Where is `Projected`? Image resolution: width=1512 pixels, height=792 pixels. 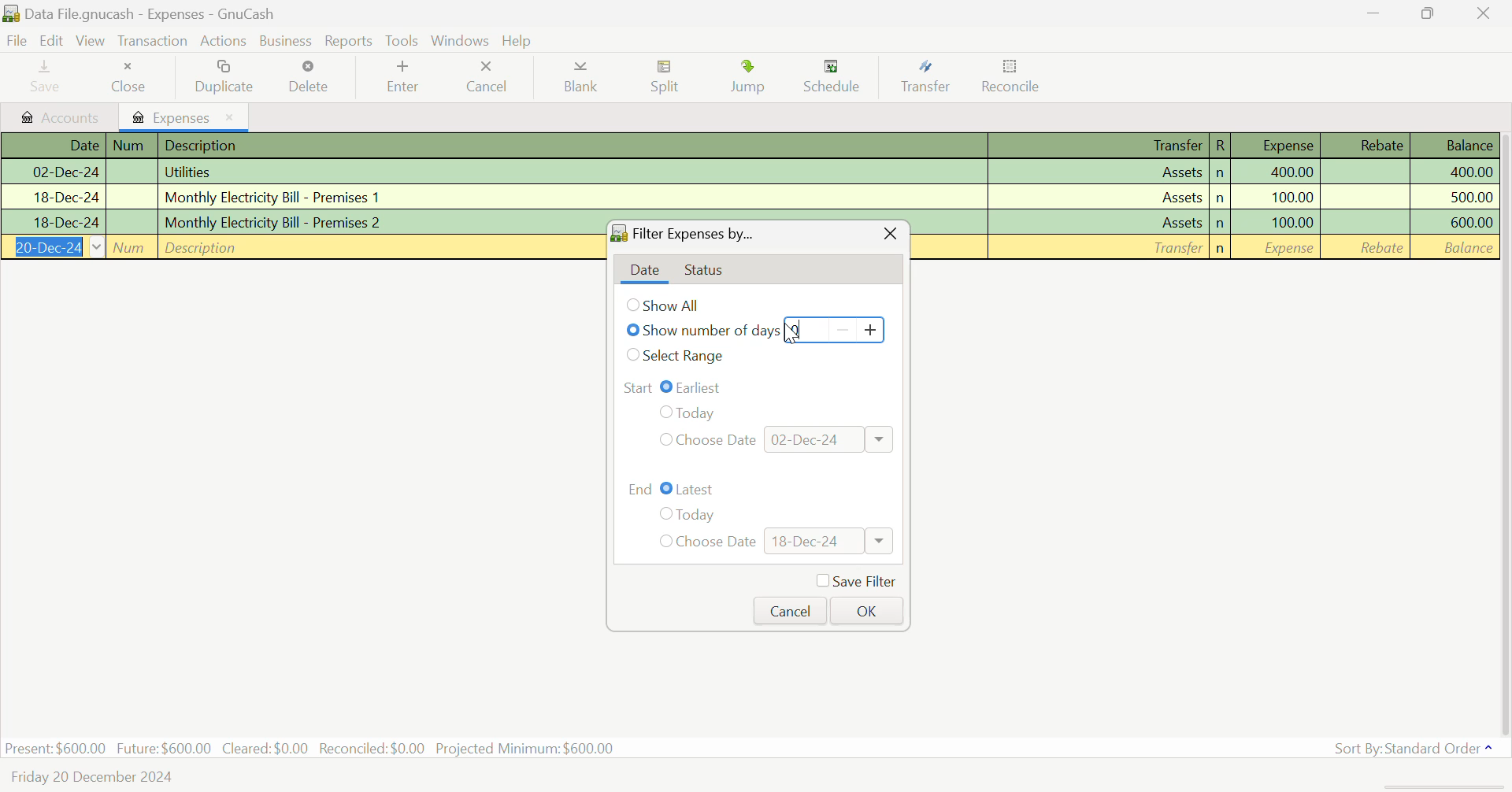
Projected is located at coordinates (524, 748).